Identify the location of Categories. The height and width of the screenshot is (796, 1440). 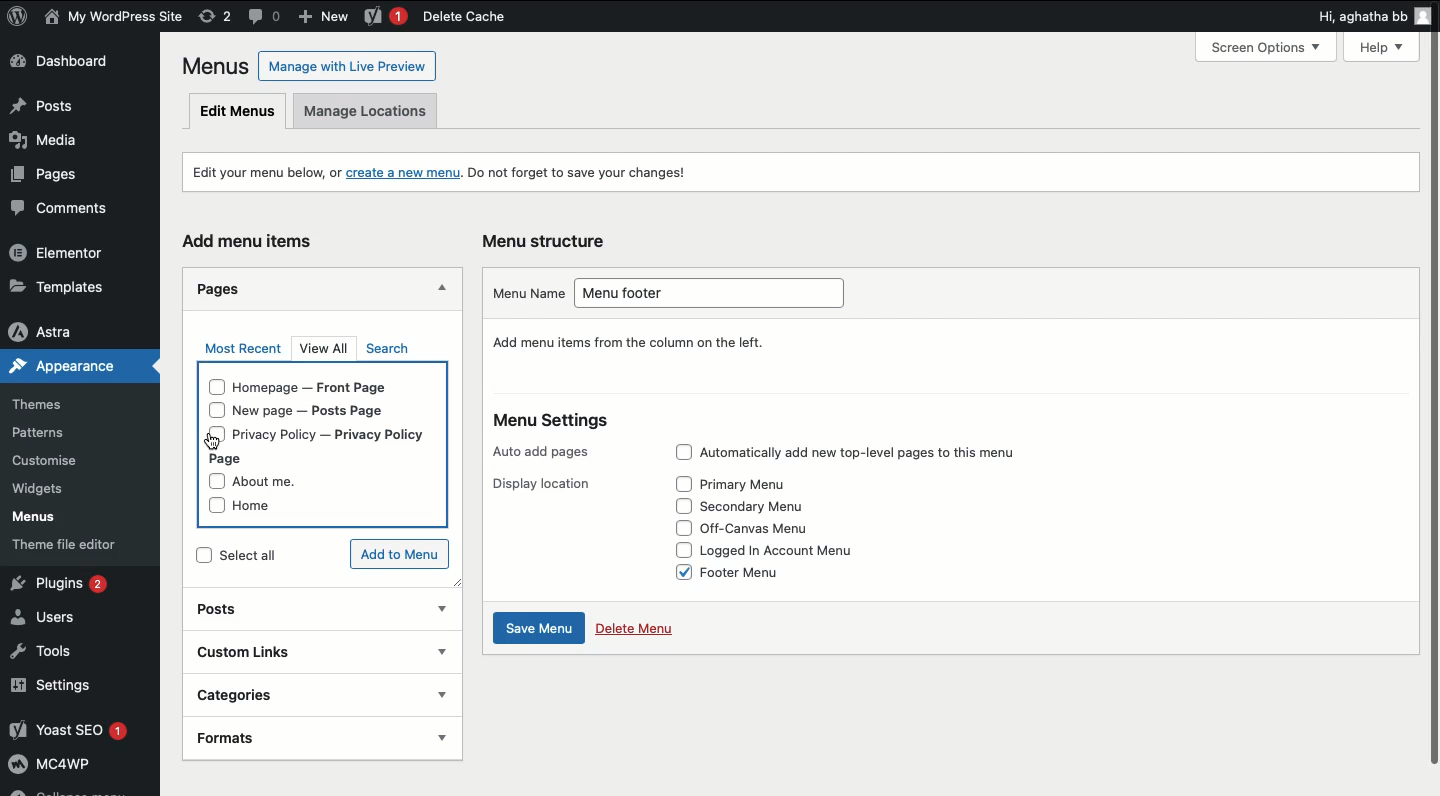
(296, 692).